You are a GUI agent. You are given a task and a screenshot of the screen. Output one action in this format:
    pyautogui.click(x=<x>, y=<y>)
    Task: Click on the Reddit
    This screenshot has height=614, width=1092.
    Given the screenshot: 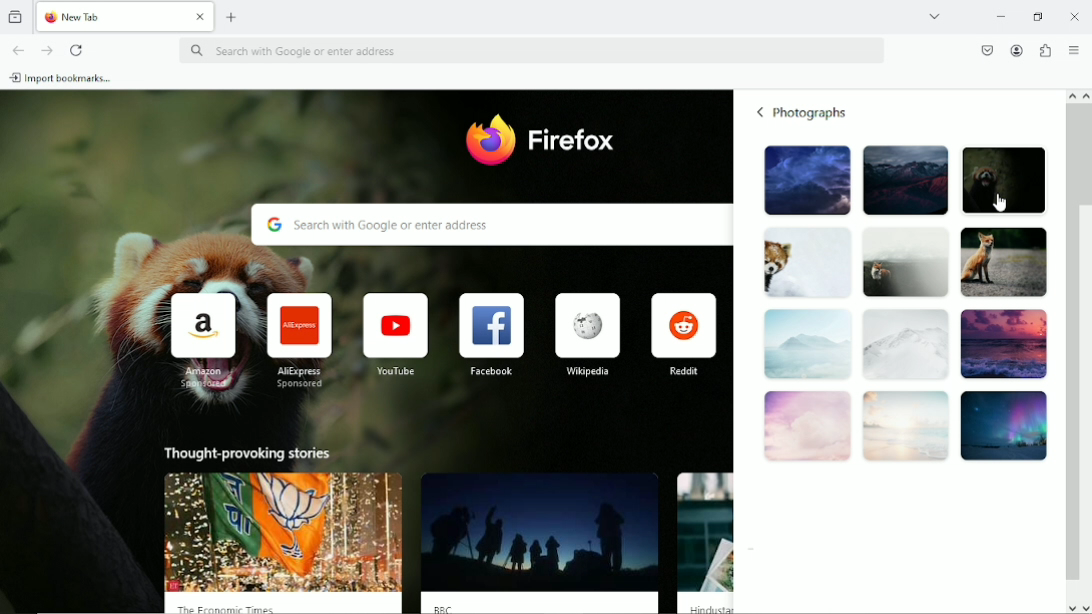 What is the action you would take?
    pyautogui.click(x=684, y=333)
    